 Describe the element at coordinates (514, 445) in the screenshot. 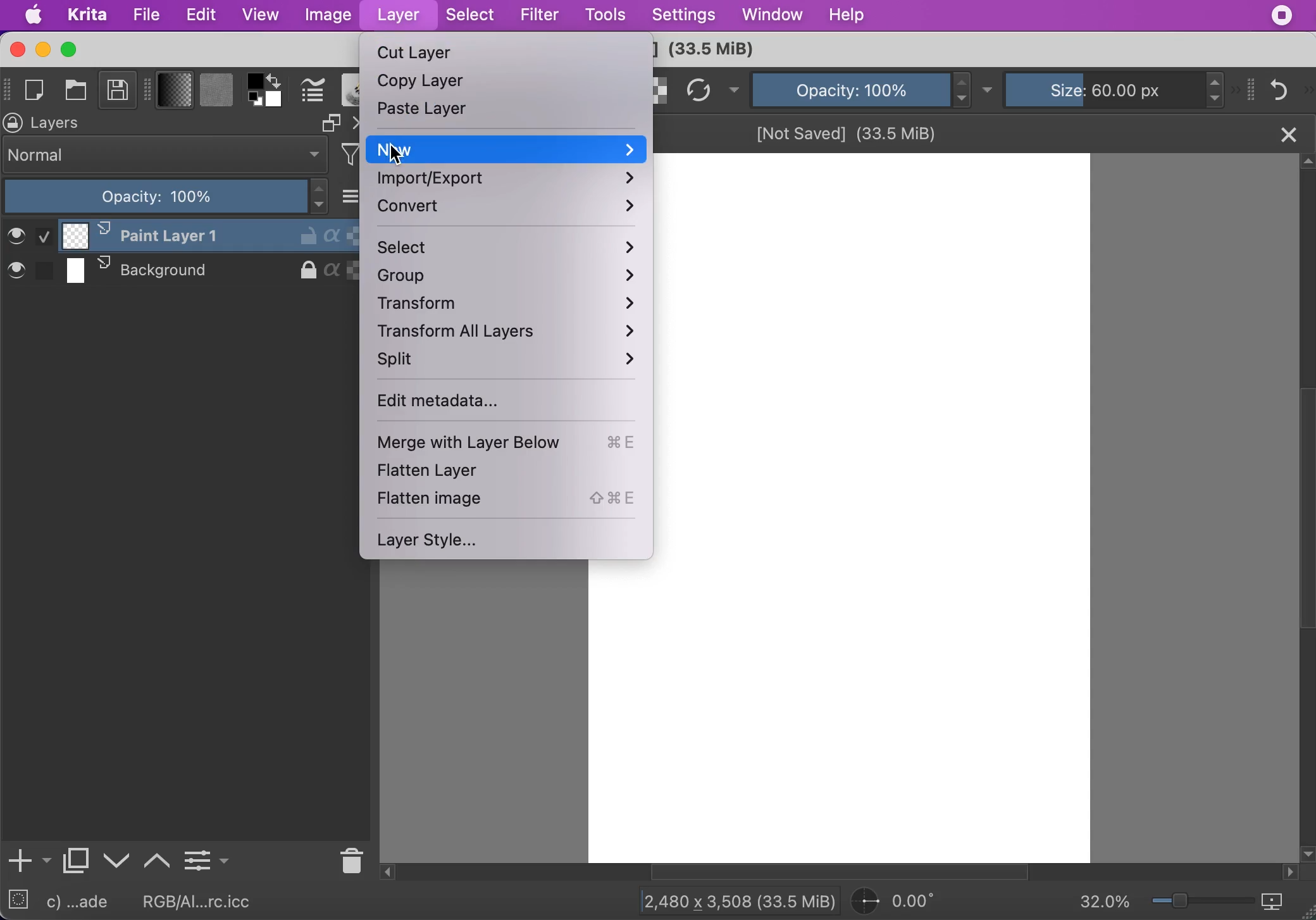

I see `merge with layer below` at that location.